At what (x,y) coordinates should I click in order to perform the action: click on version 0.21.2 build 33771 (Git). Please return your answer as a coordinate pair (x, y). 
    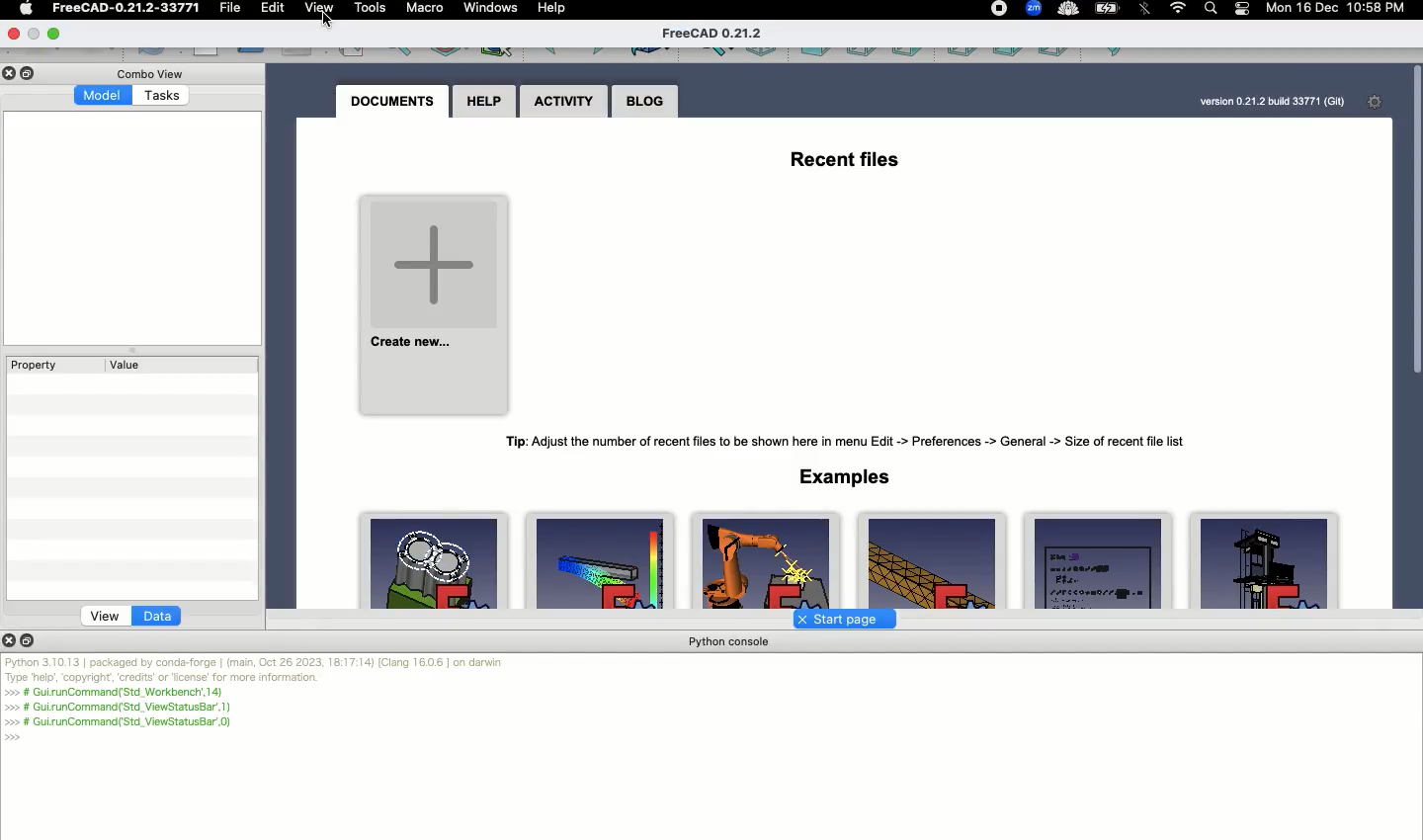
    Looking at the image, I should click on (1272, 102).